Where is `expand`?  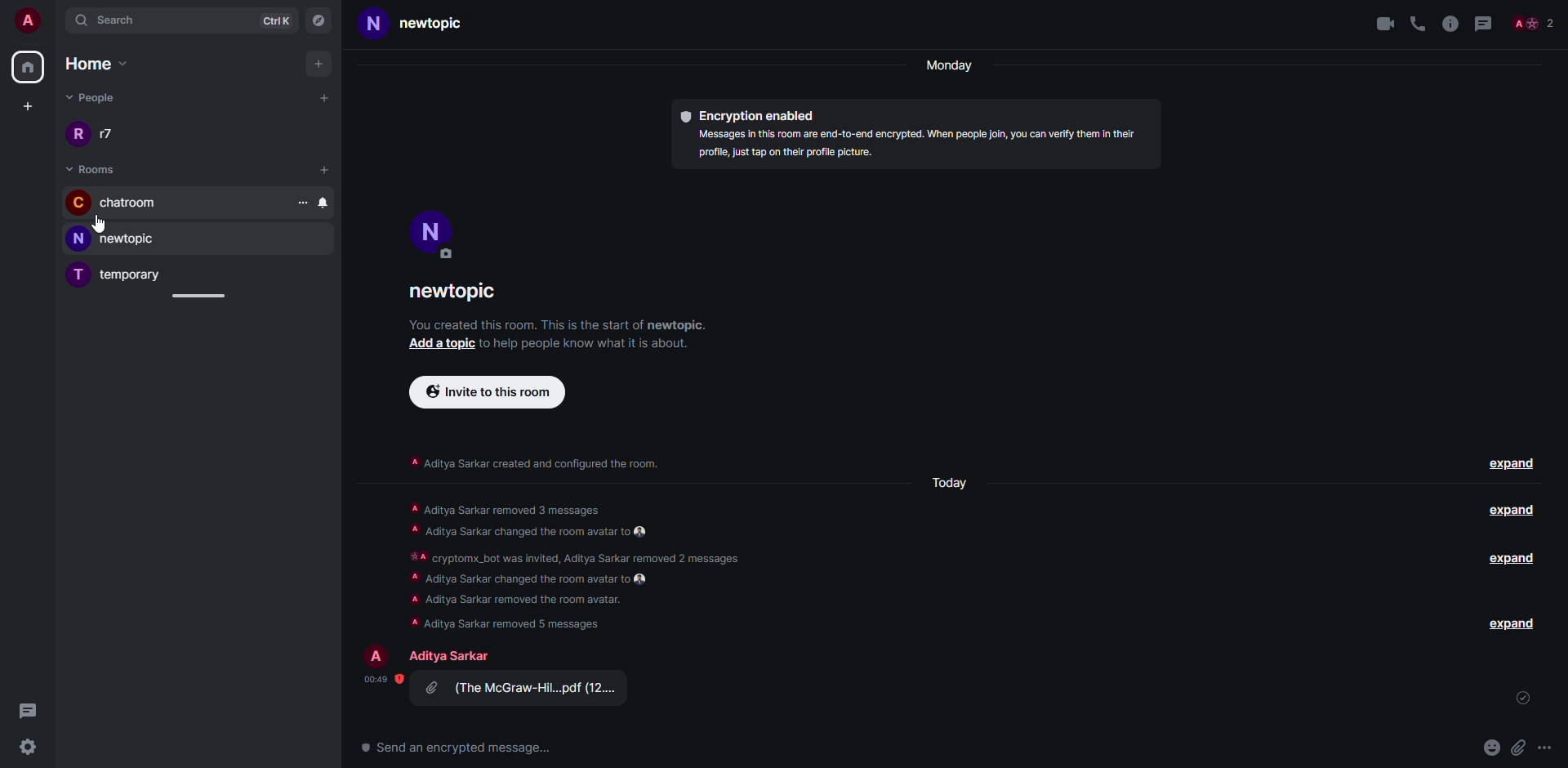
expand is located at coordinates (1514, 623).